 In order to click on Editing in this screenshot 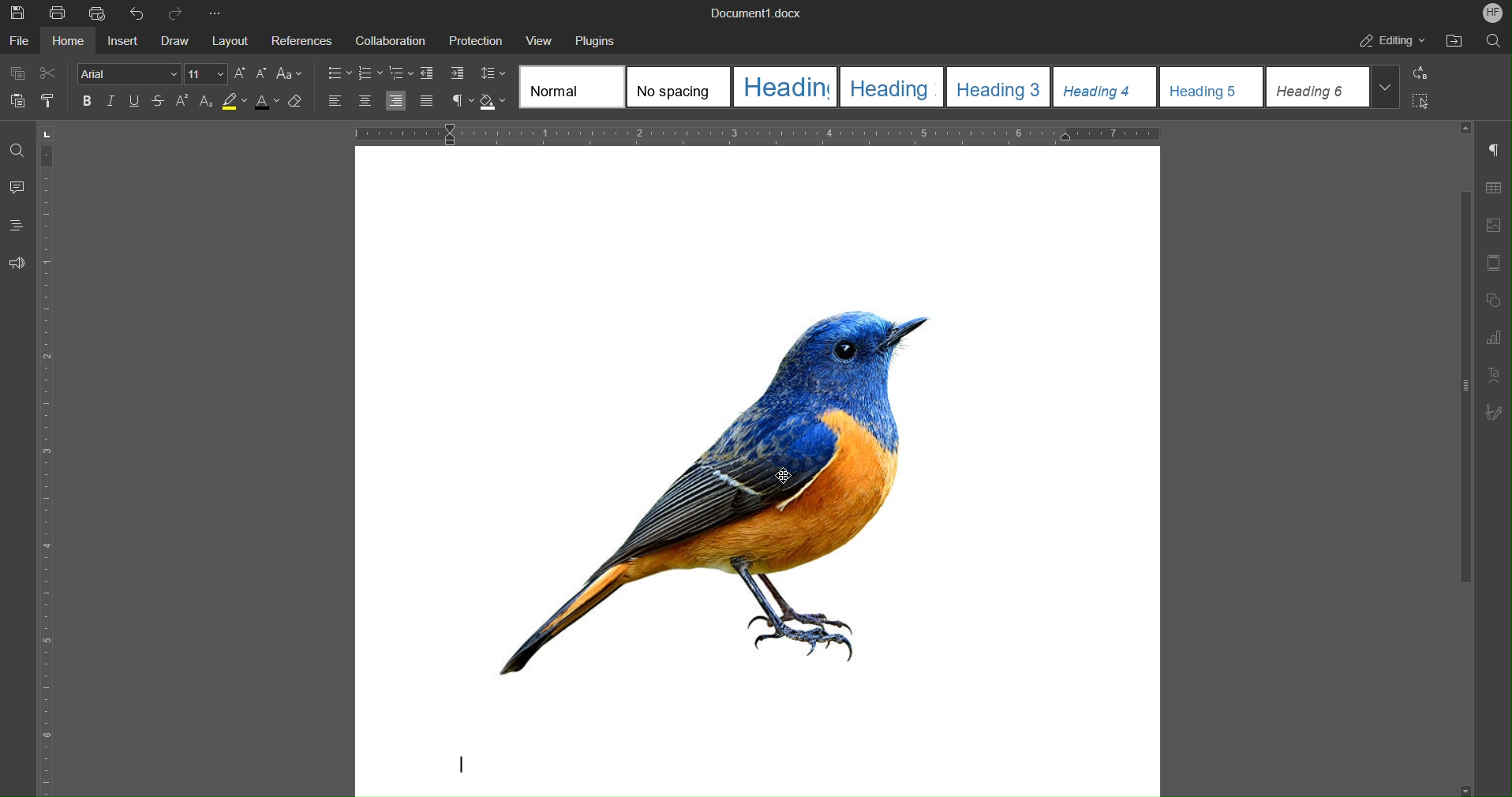, I will do `click(1389, 42)`.